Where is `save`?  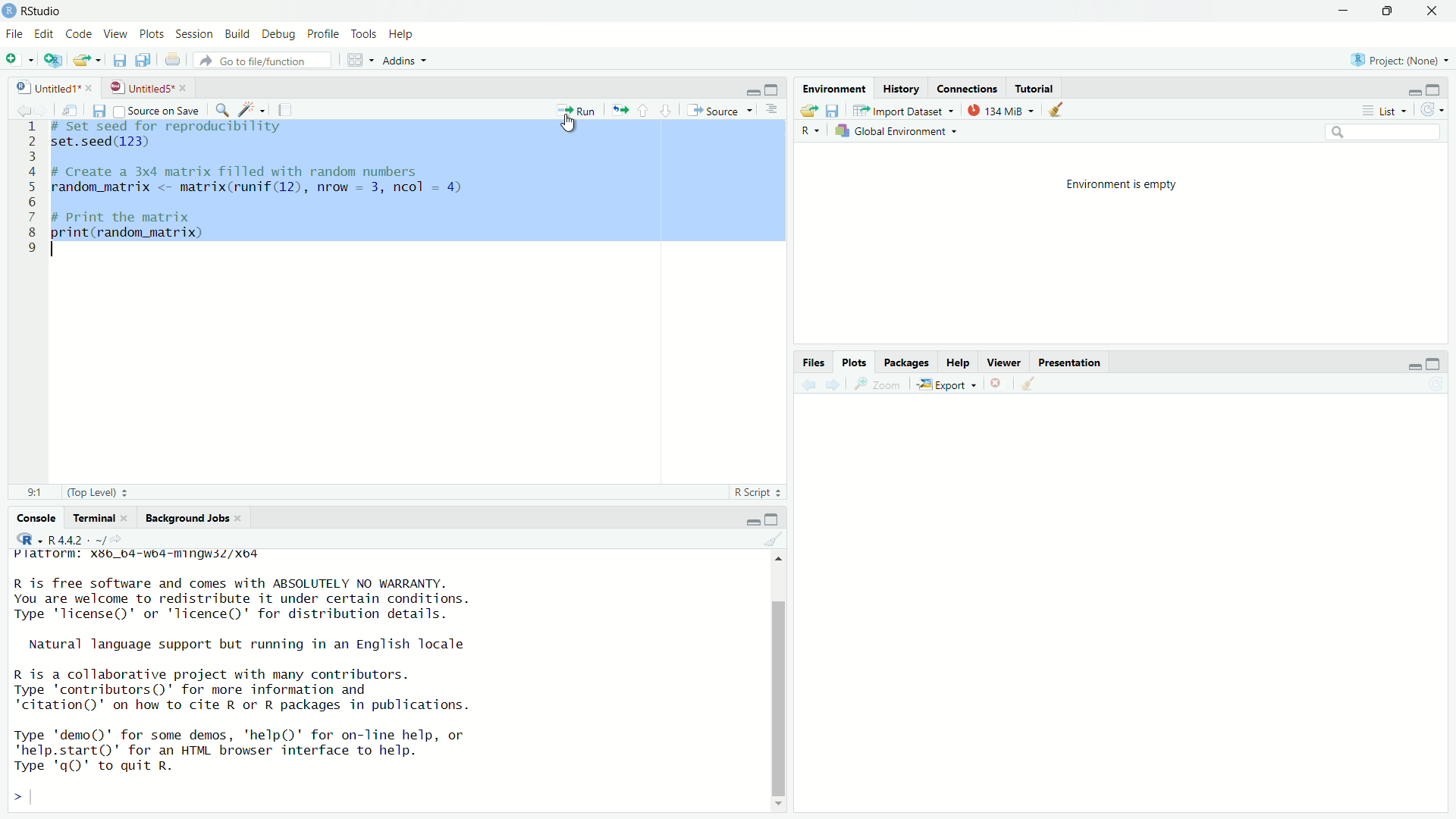 save is located at coordinates (98, 111).